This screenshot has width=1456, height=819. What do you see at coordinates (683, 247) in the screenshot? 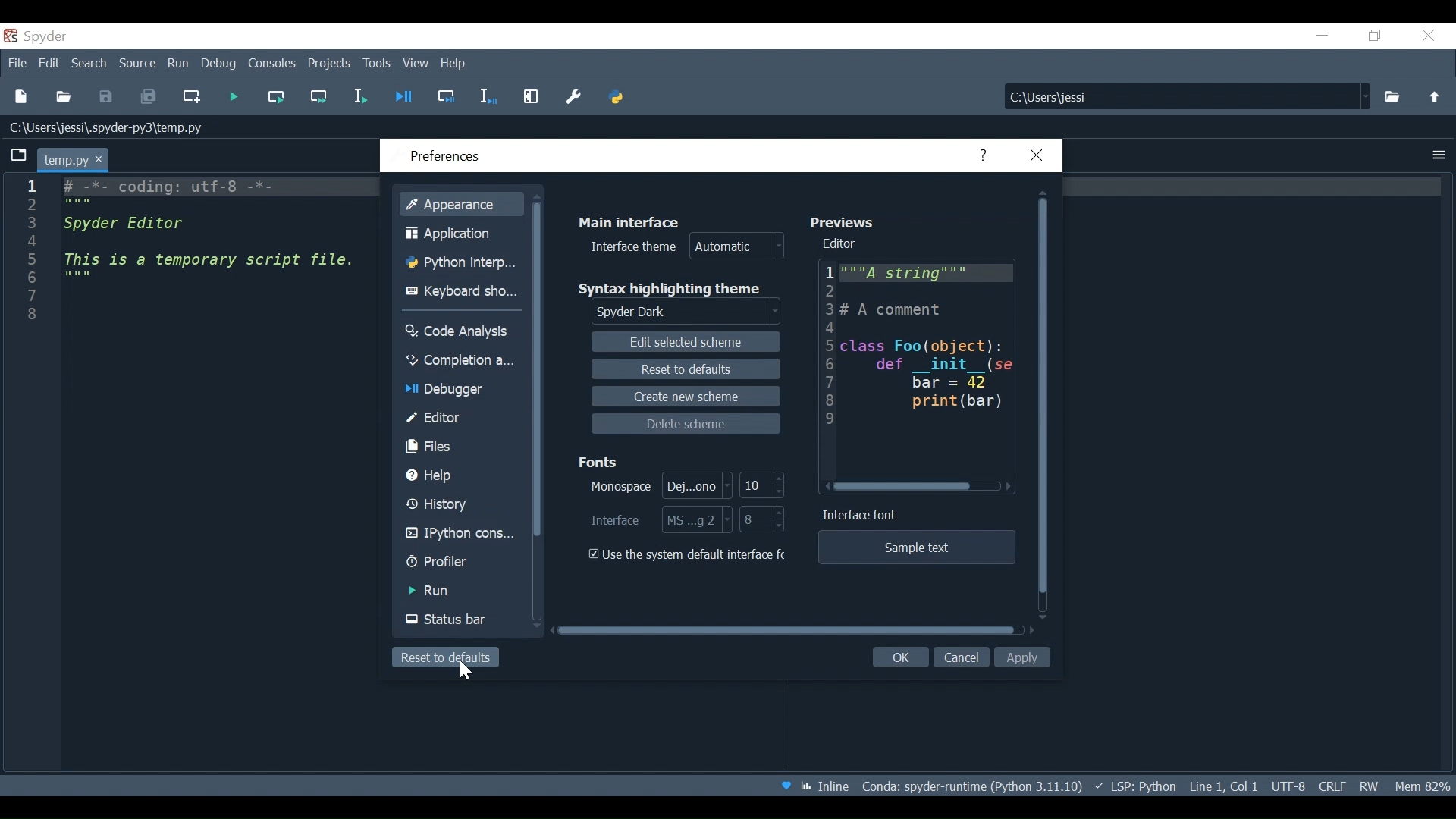
I see `Interface theme` at bounding box center [683, 247].